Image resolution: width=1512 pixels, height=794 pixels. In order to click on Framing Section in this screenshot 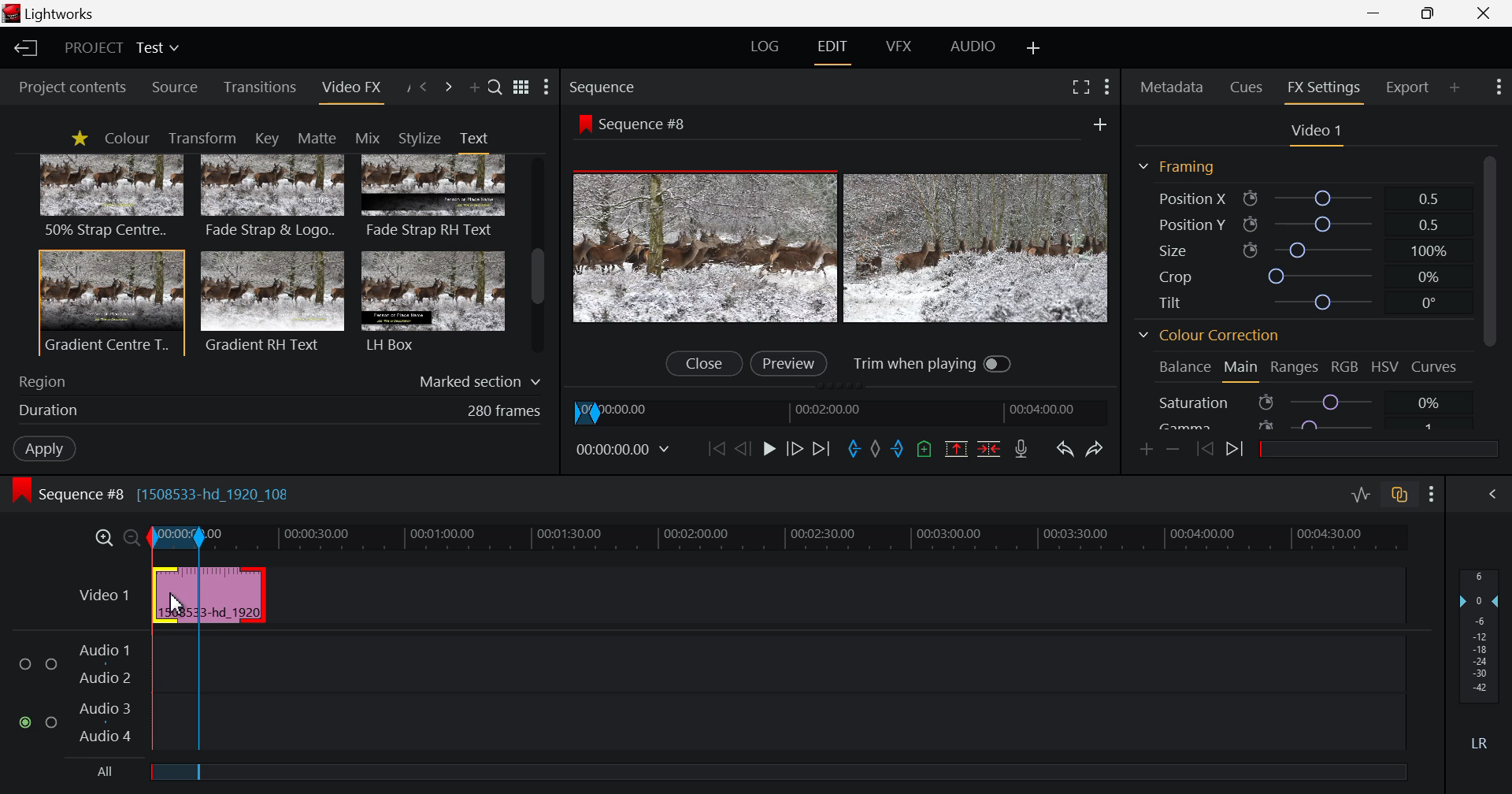, I will do `click(1183, 166)`.